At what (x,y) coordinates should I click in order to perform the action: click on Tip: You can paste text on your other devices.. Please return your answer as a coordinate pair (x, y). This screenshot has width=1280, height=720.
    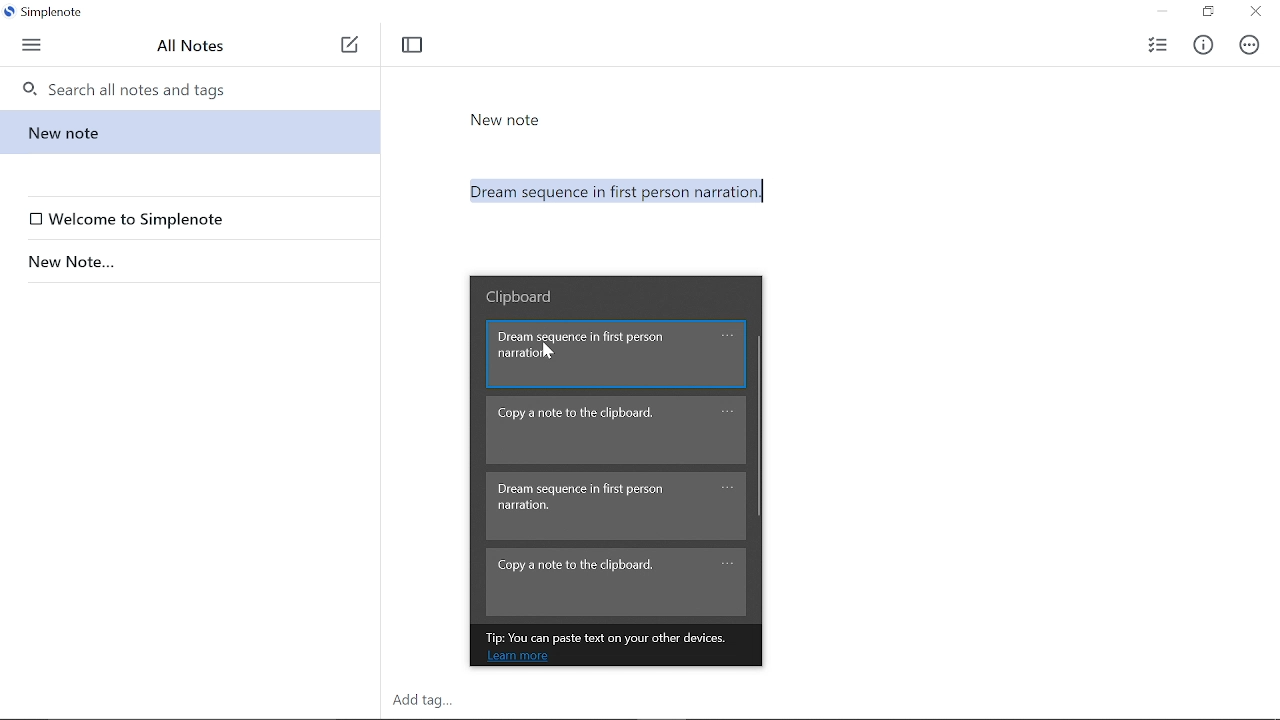
    Looking at the image, I should click on (613, 637).